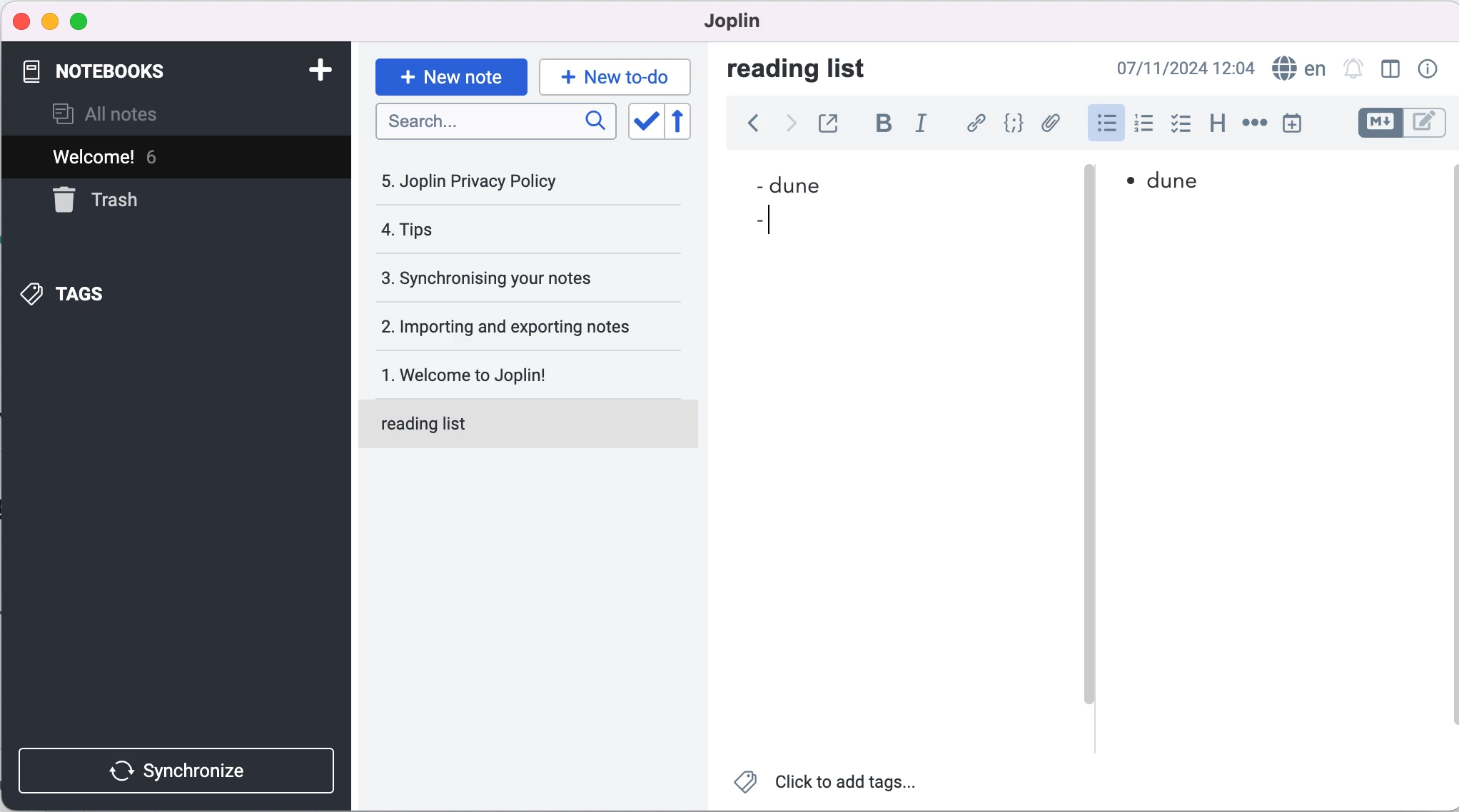 The image size is (1459, 812). What do you see at coordinates (324, 70) in the screenshot?
I see `add notebook` at bounding box center [324, 70].